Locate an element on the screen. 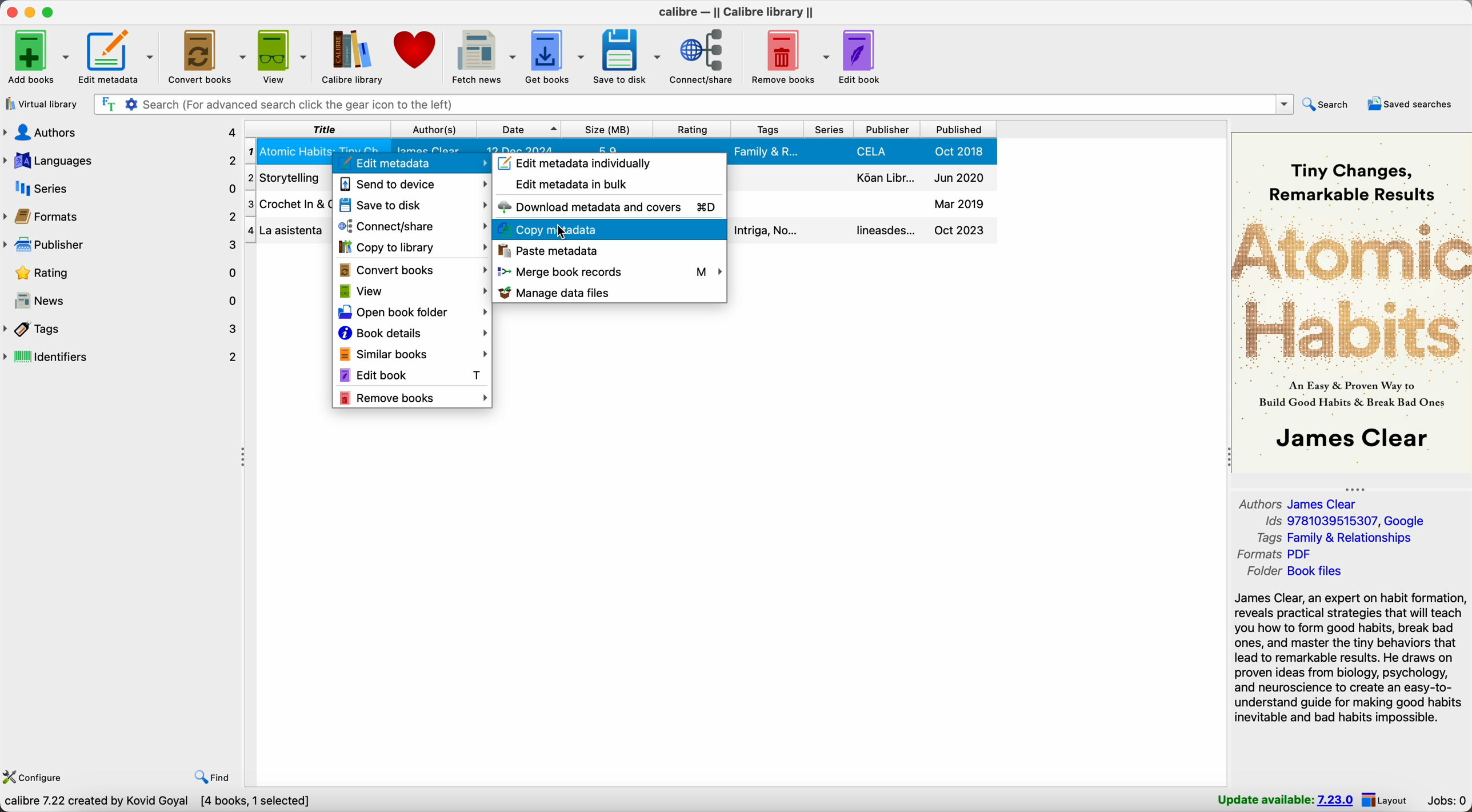 Image resolution: width=1472 pixels, height=812 pixels. publisher is located at coordinates (121, 245).